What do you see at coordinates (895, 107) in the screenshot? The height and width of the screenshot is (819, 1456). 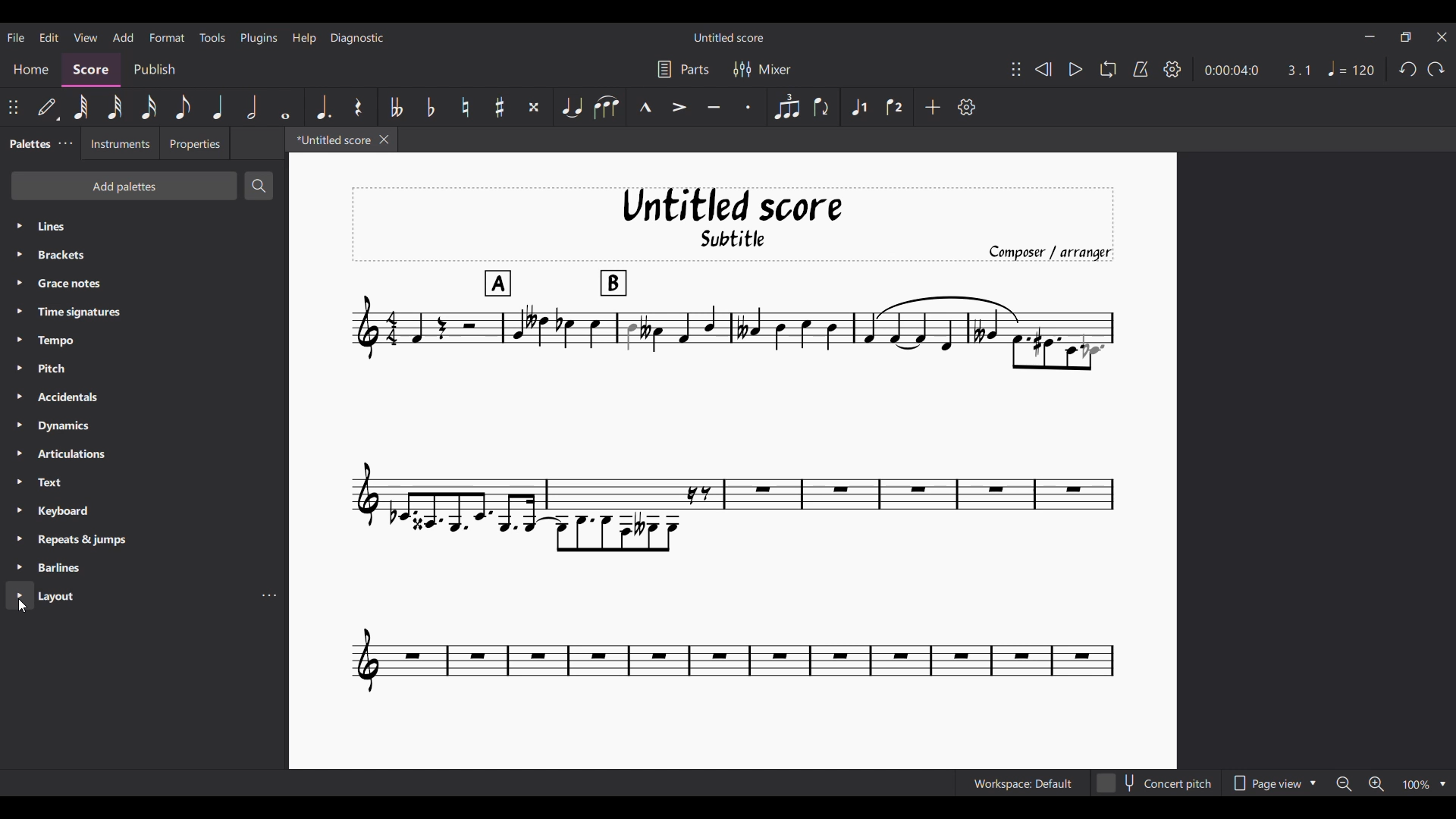 I see `Voice 2` at bounding box center [895, 107].